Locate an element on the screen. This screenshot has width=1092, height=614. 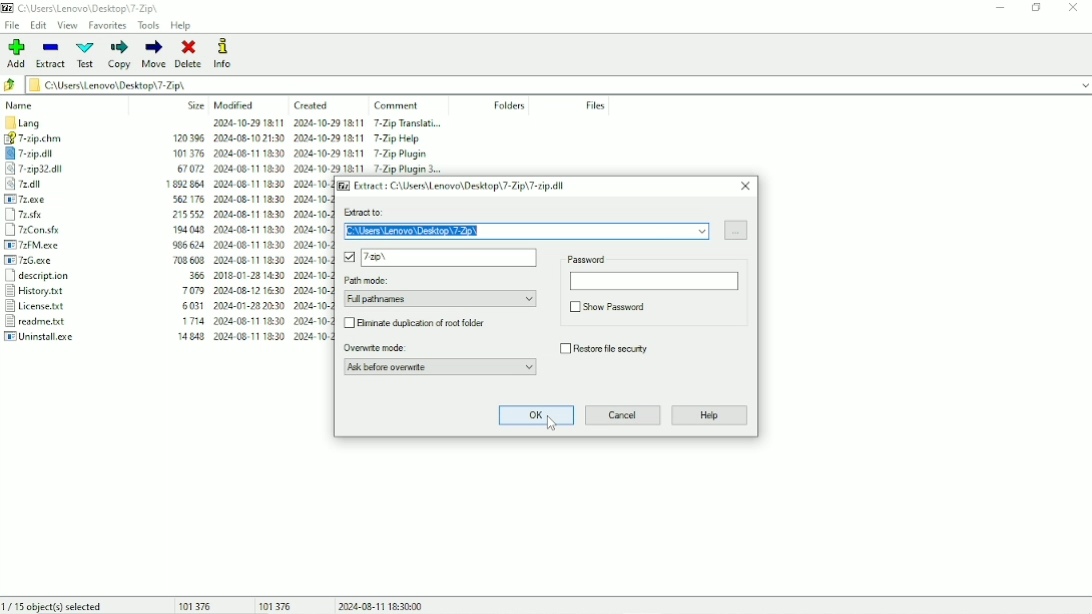
Cancel is located at coordinates (624, 416).